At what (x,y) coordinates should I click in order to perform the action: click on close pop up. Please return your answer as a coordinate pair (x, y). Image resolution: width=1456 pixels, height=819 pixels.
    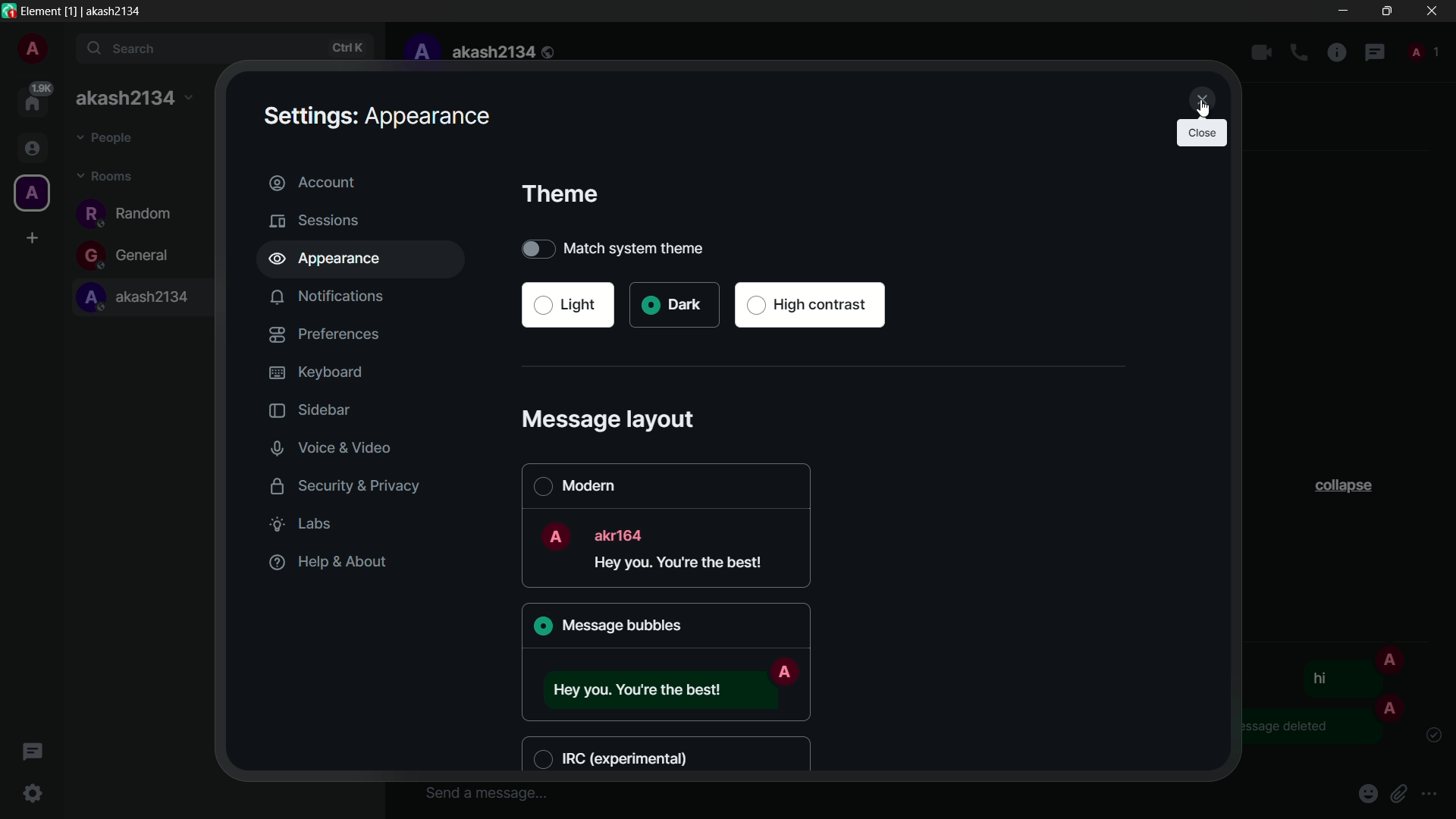
    Looking at the image, I should click on (1202, 134).